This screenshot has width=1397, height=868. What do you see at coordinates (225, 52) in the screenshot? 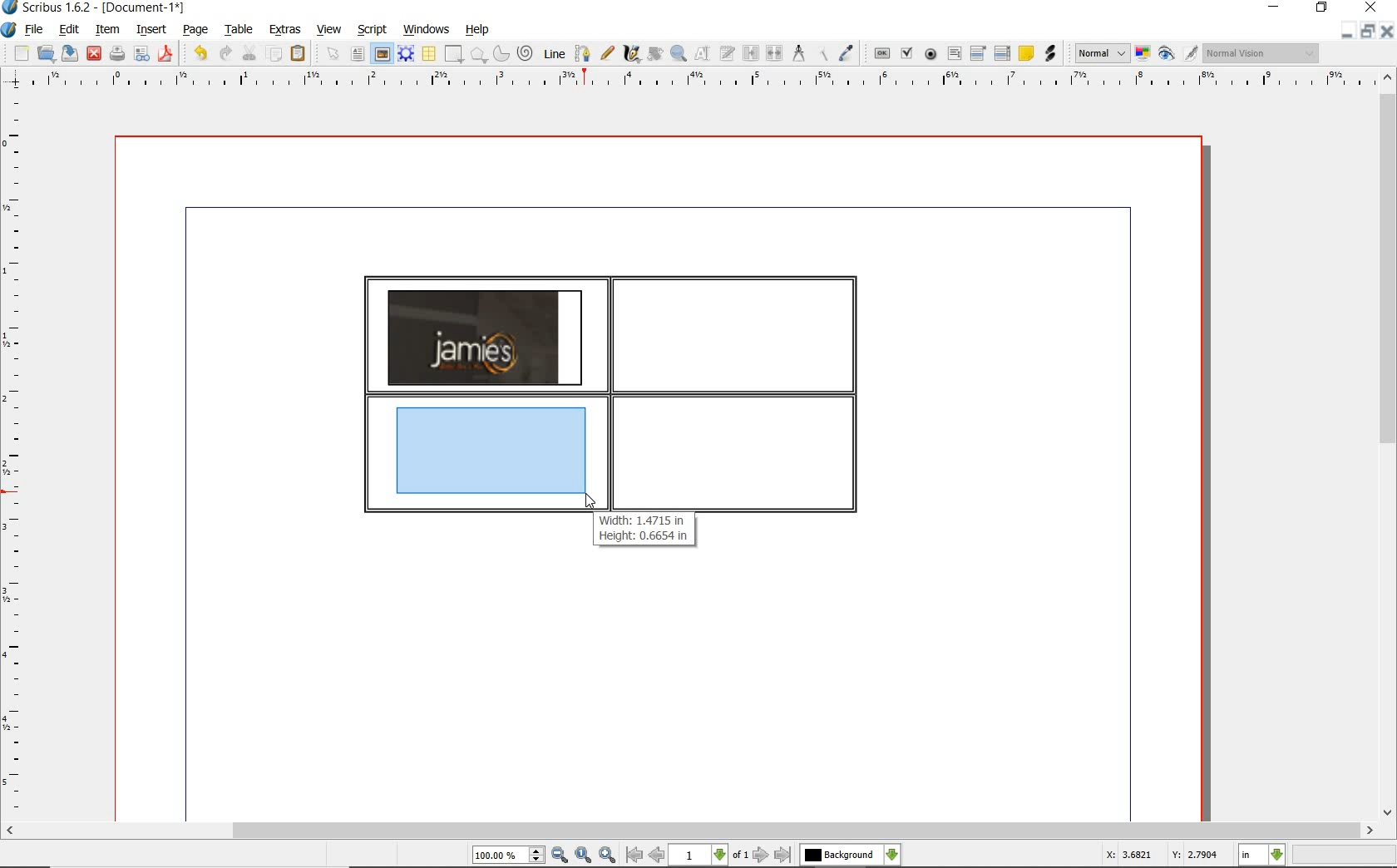
I see `redo` at bounding box center [225, 52].